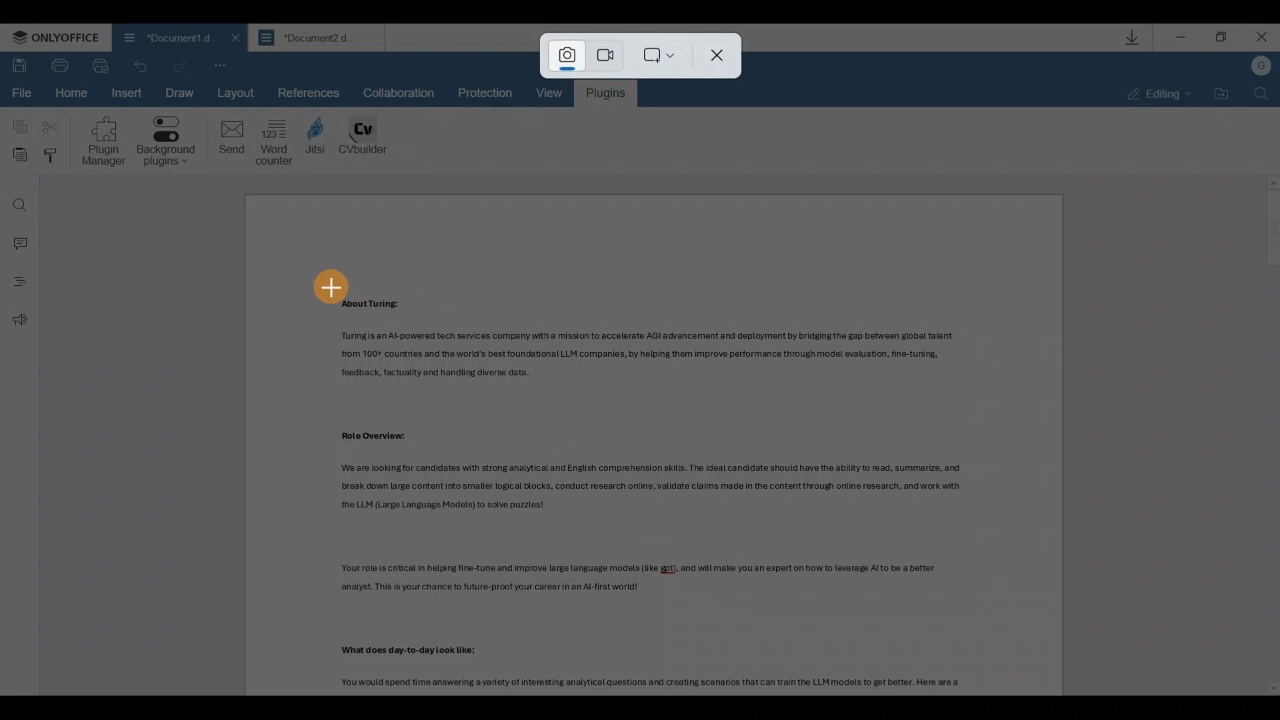 The width and height of the screenshot is (1280, 720). Describe the element at coordinates (18, 323) in the screenshot. I see `Feedback & support` at that location.